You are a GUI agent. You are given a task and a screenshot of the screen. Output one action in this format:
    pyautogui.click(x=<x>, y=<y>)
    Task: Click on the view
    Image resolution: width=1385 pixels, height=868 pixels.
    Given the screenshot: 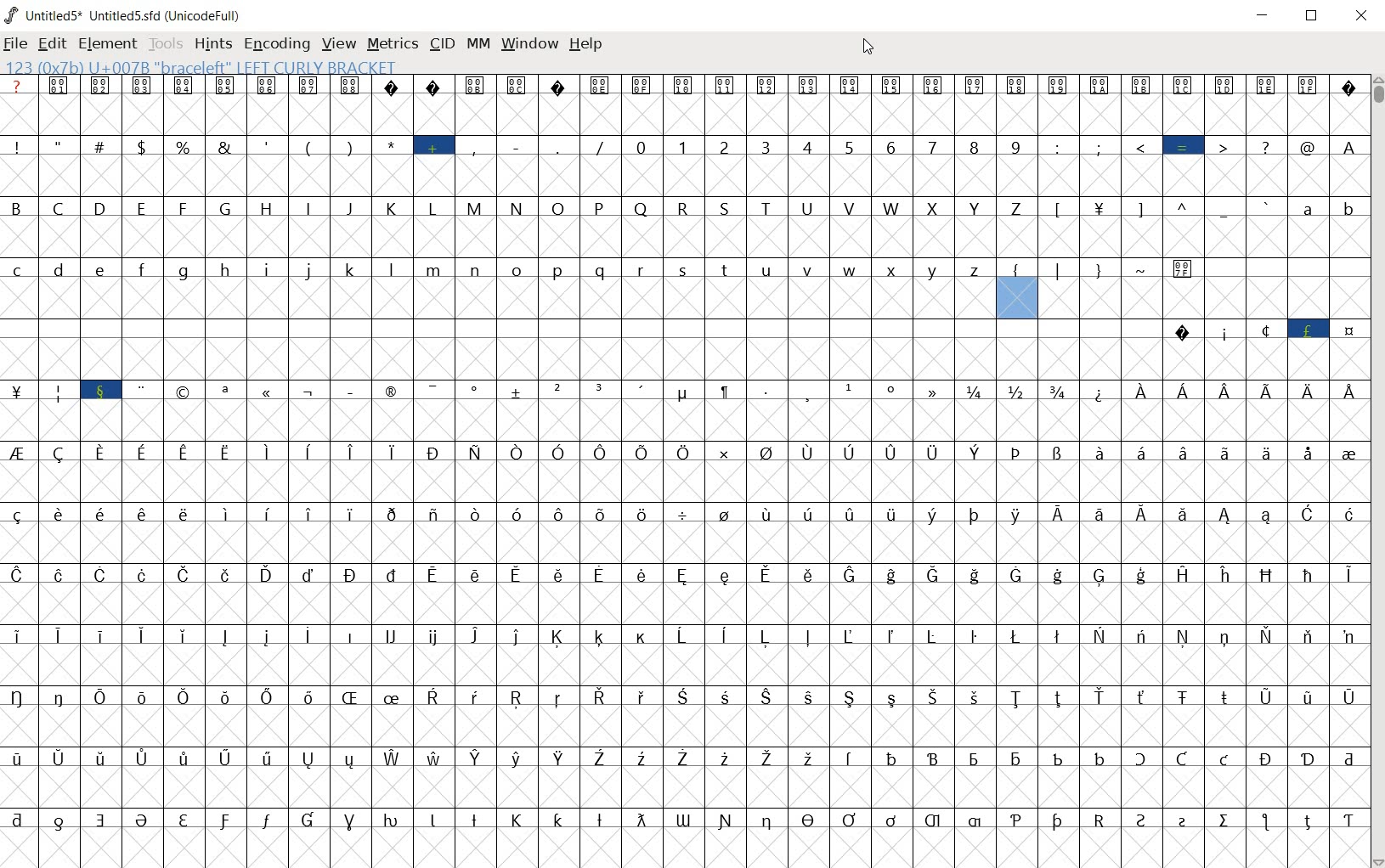 What is the action you would take?
    pyautogui.click(x=336, y=43)
    